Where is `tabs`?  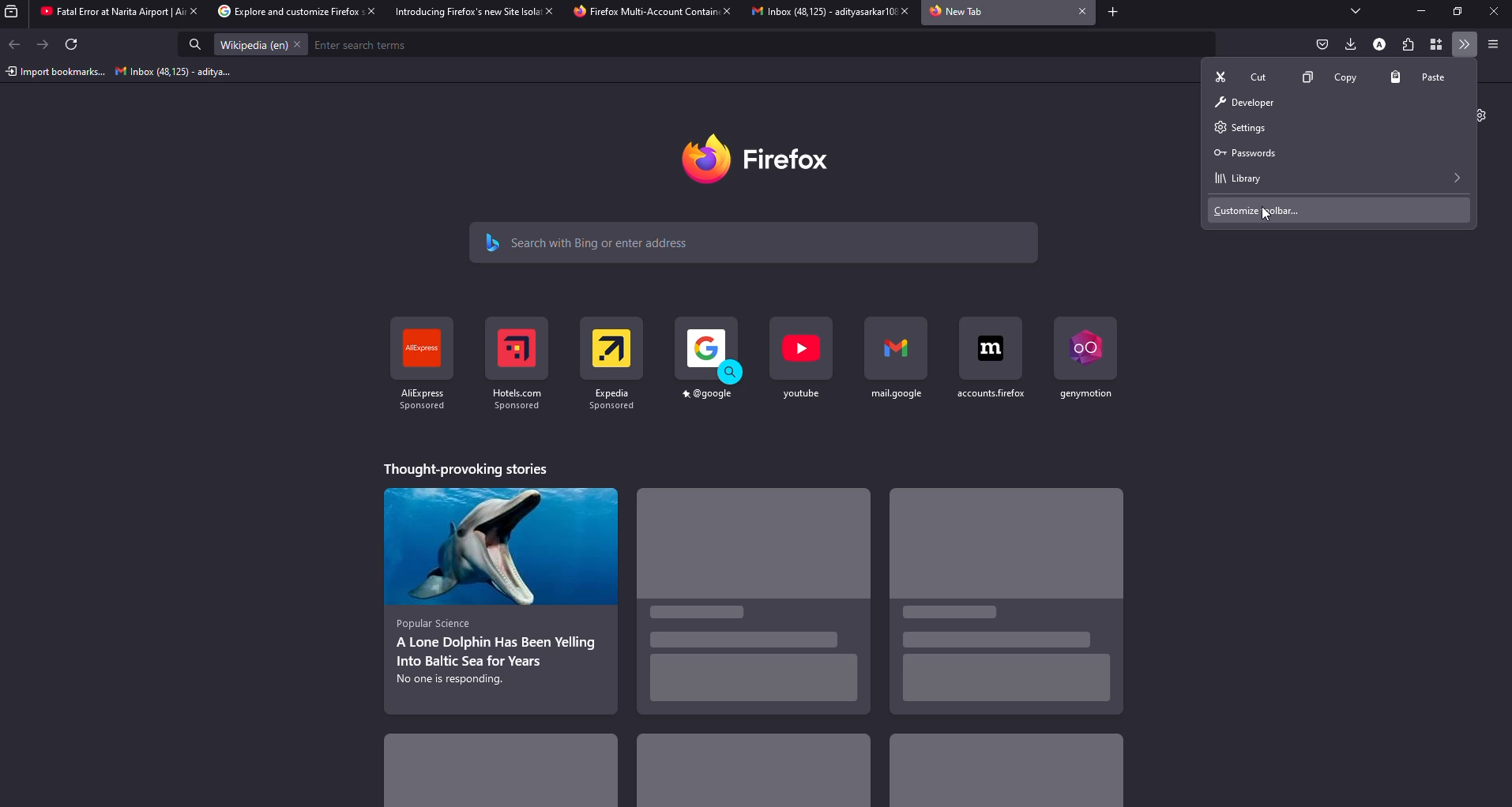 tabs is located at coordinates (1356, 12).